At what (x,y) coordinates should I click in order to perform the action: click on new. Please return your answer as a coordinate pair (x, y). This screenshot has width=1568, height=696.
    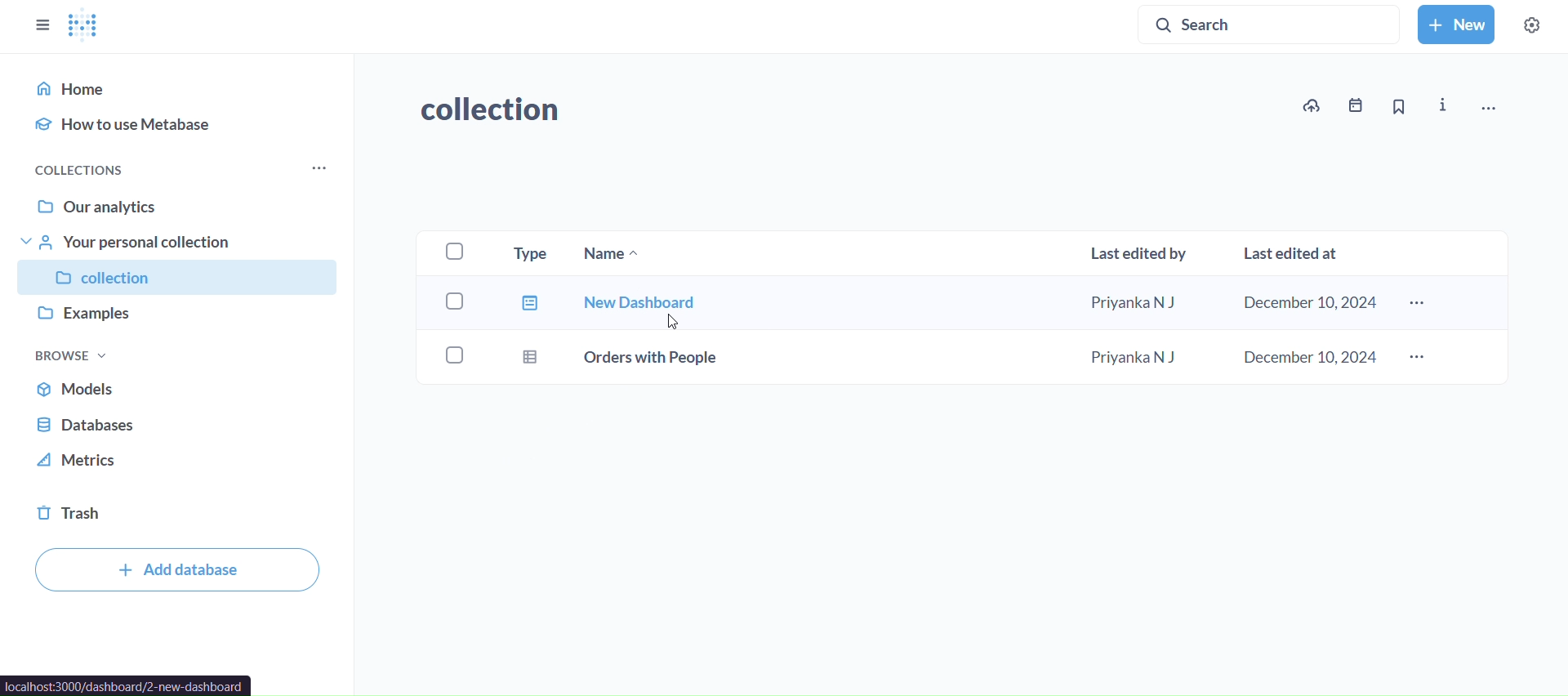
    Looking at the image, I should click on (1454, 25).